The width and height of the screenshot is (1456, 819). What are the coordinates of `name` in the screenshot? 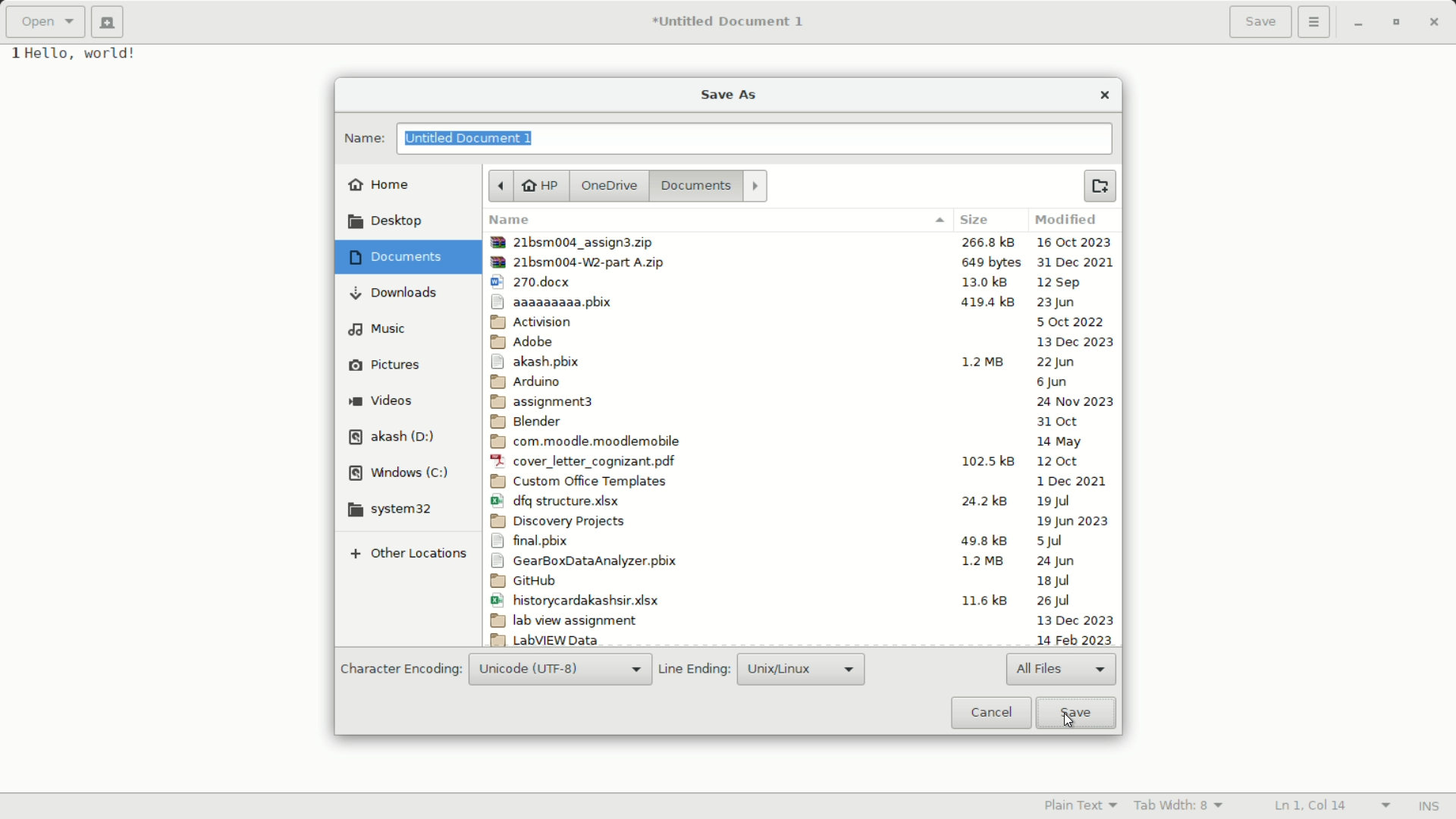 It's located at (362, 140).